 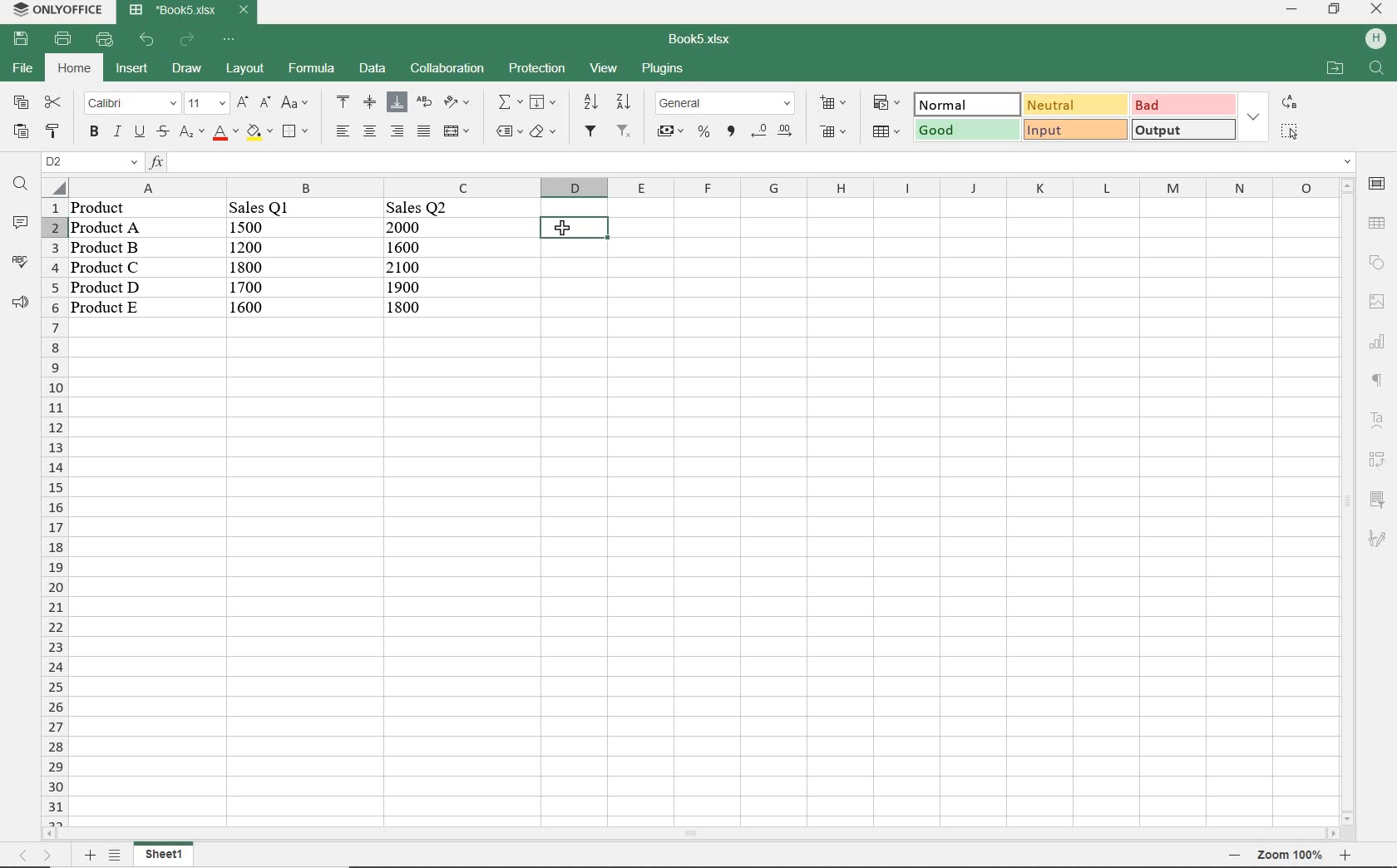 I want to click on named ranges, so click(x=507, y=131).